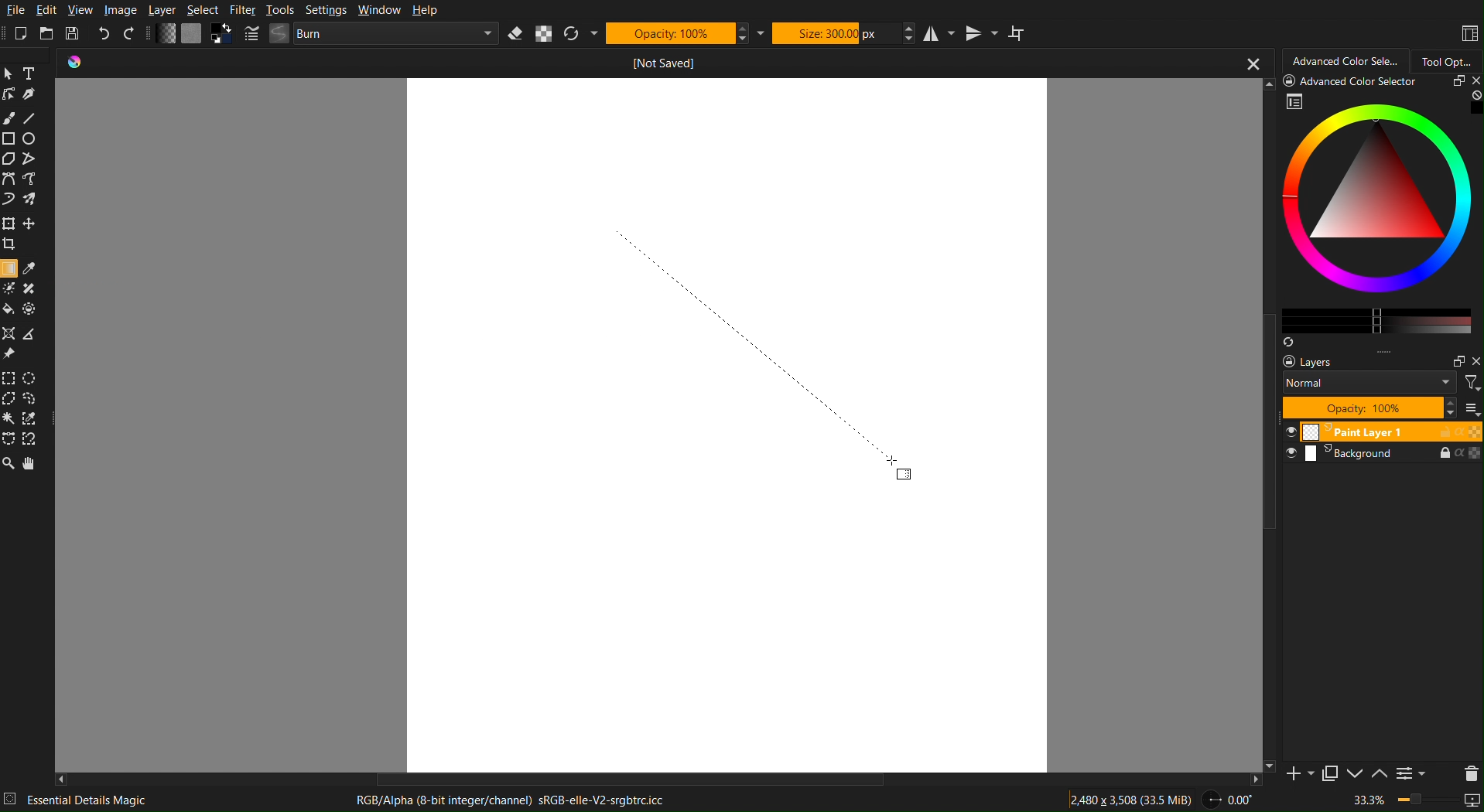 The width and height of the screenshot is (1484, 812). Describe the element at coordinates (280, 10) in the screenshot. I see `Tools` at that location.